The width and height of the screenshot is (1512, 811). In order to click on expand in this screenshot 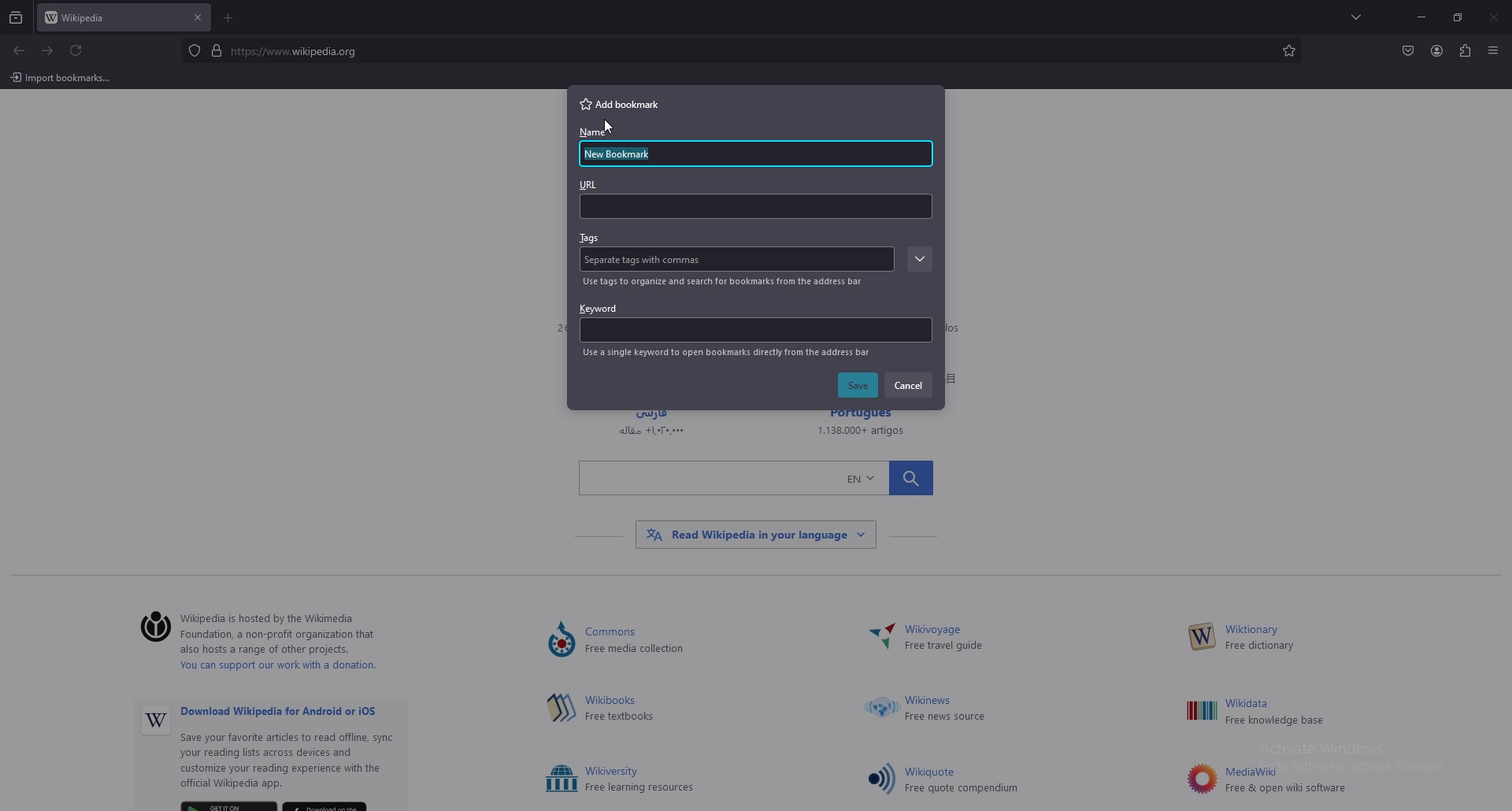, I will do `click(917, 260)`.